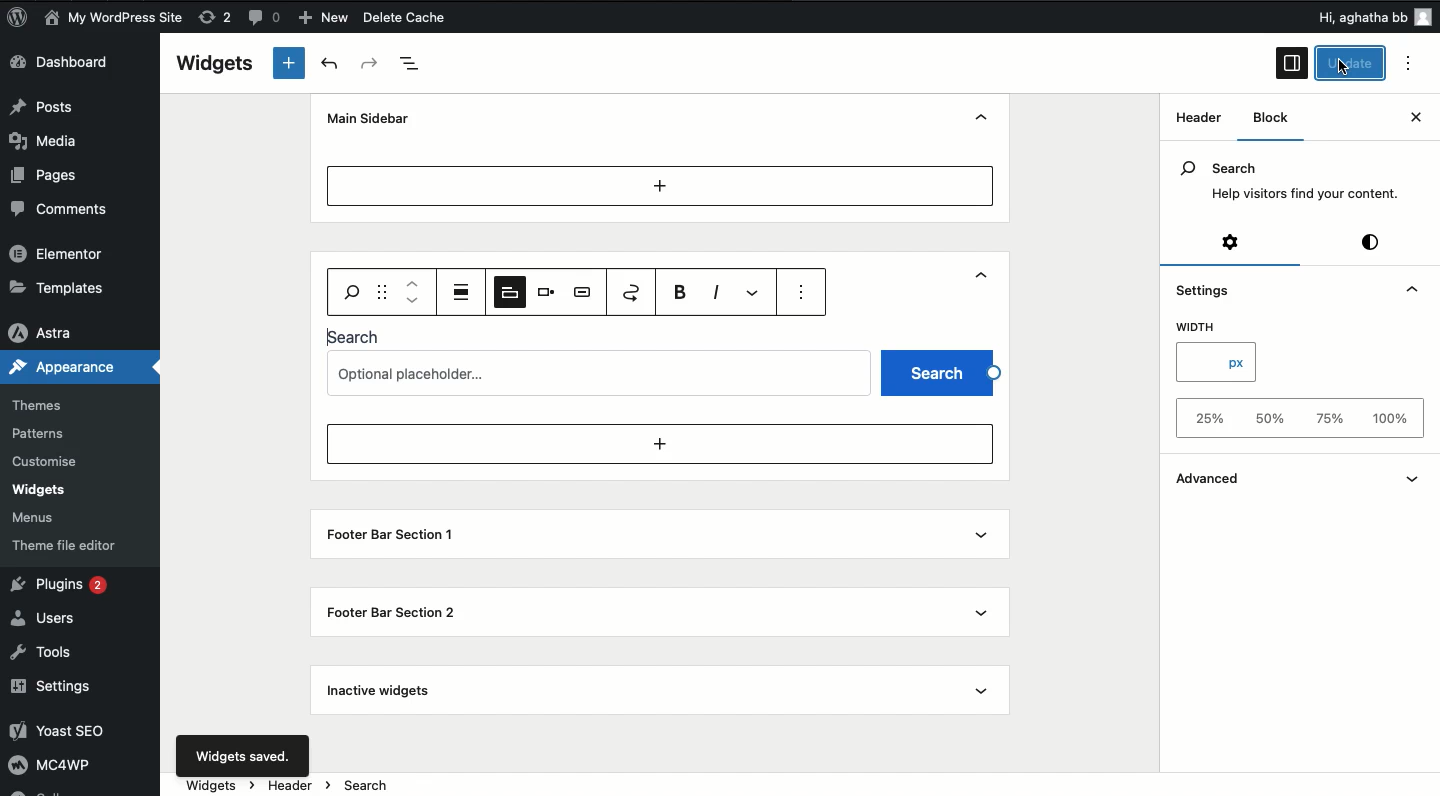 The image size is (1440, 796). Describe the element at coordinates (49, 460) in the screenshot. I see `Customise` at that location.